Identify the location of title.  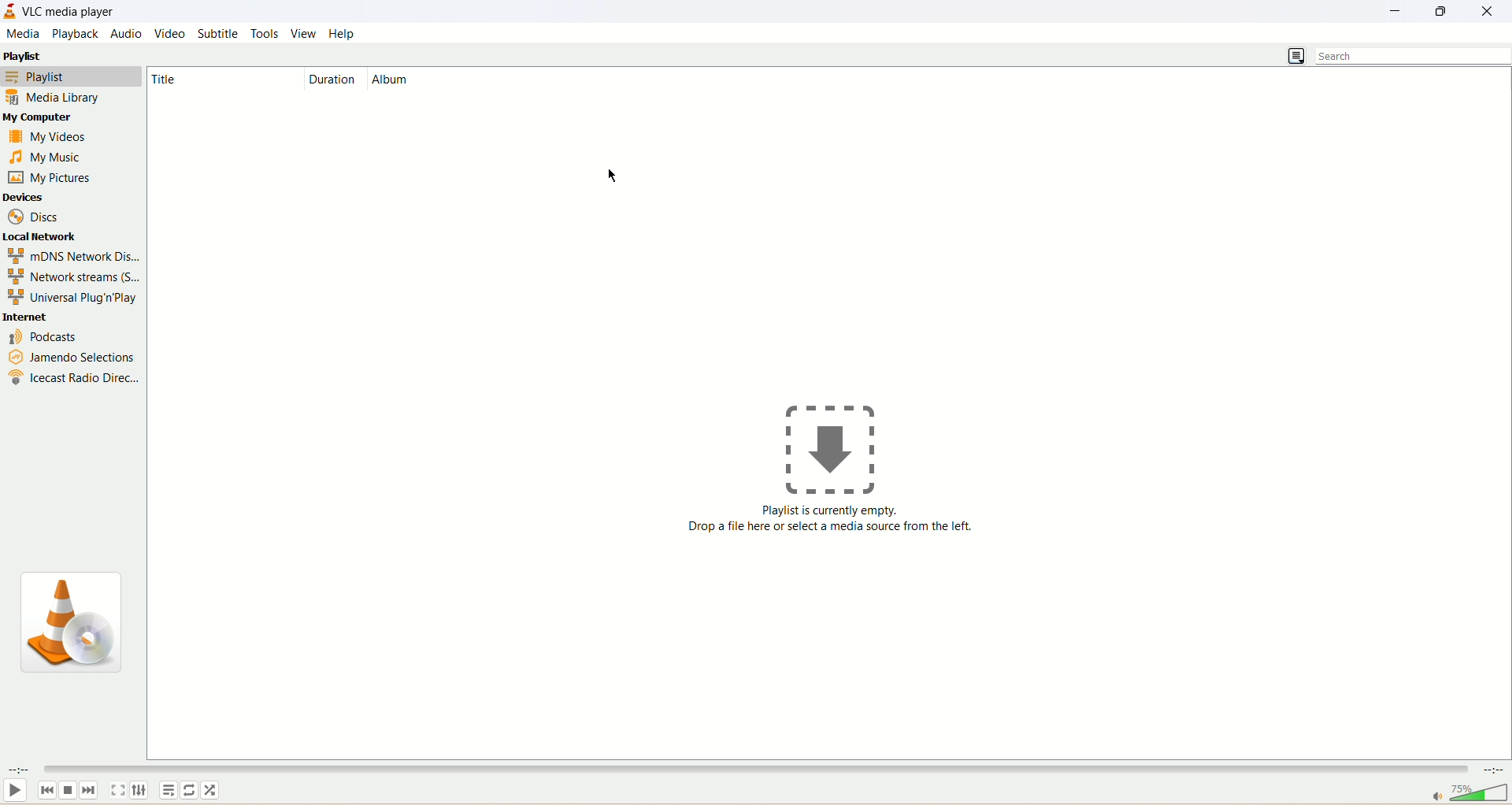
(172, 81).